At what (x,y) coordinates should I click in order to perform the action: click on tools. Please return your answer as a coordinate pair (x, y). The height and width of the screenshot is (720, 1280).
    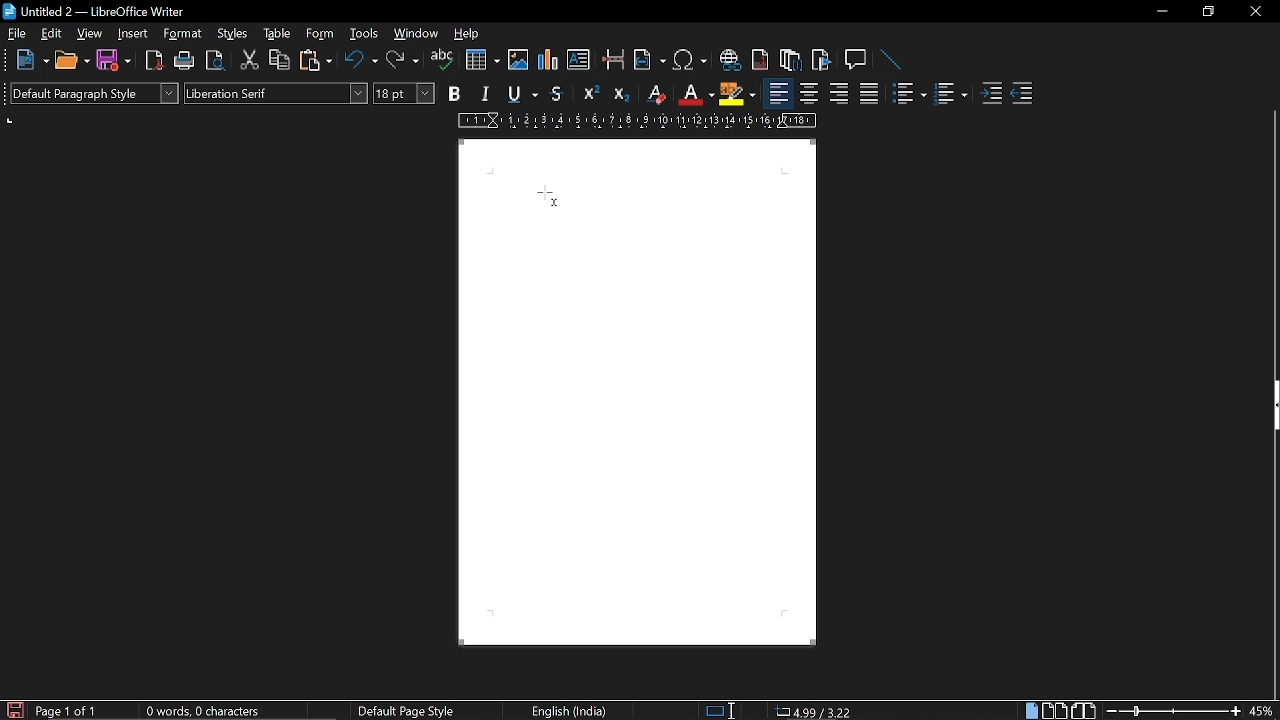
    Looking at the image, I should click on (362, 35).